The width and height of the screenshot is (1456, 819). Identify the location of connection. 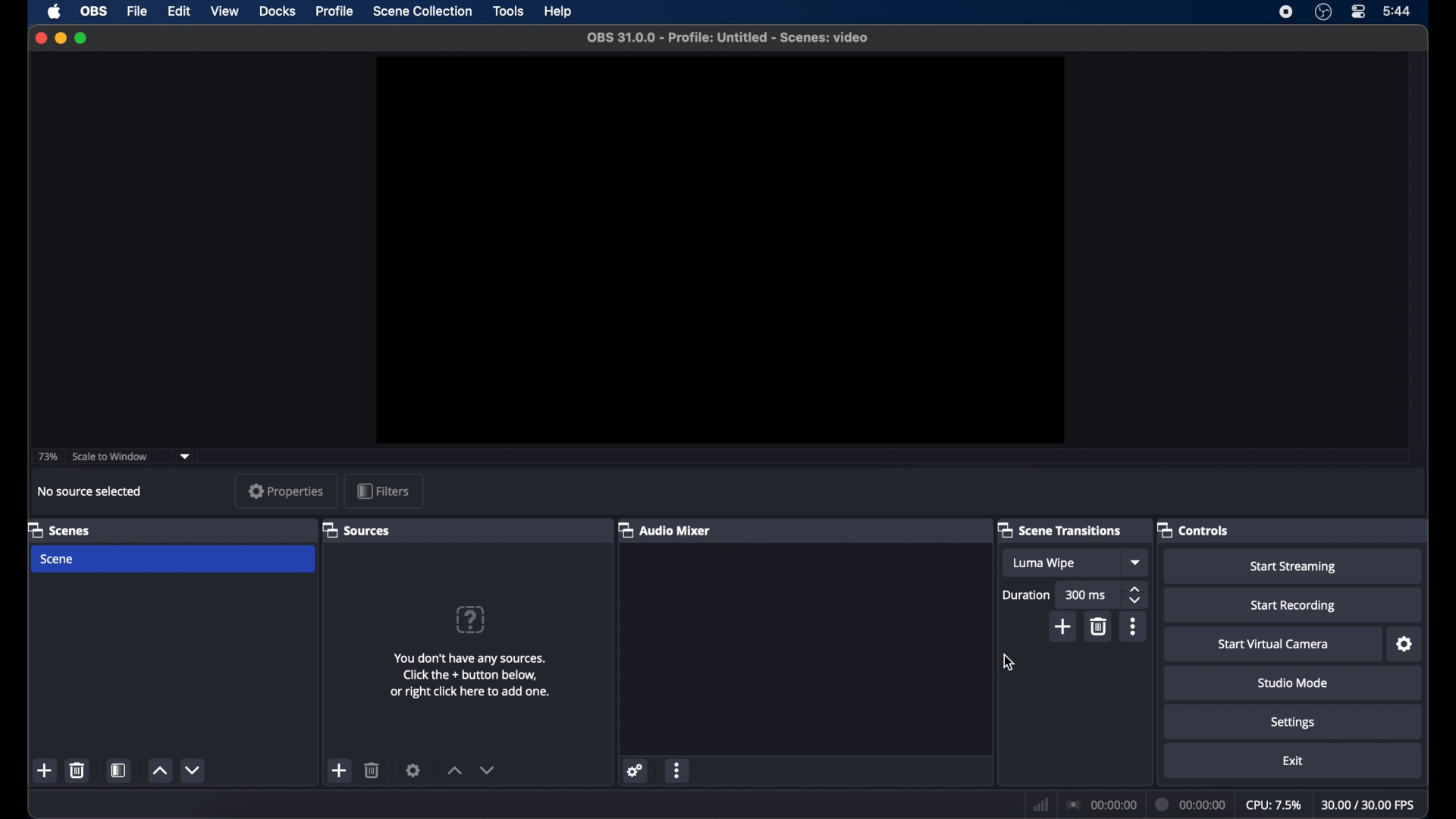
(1103, 805).